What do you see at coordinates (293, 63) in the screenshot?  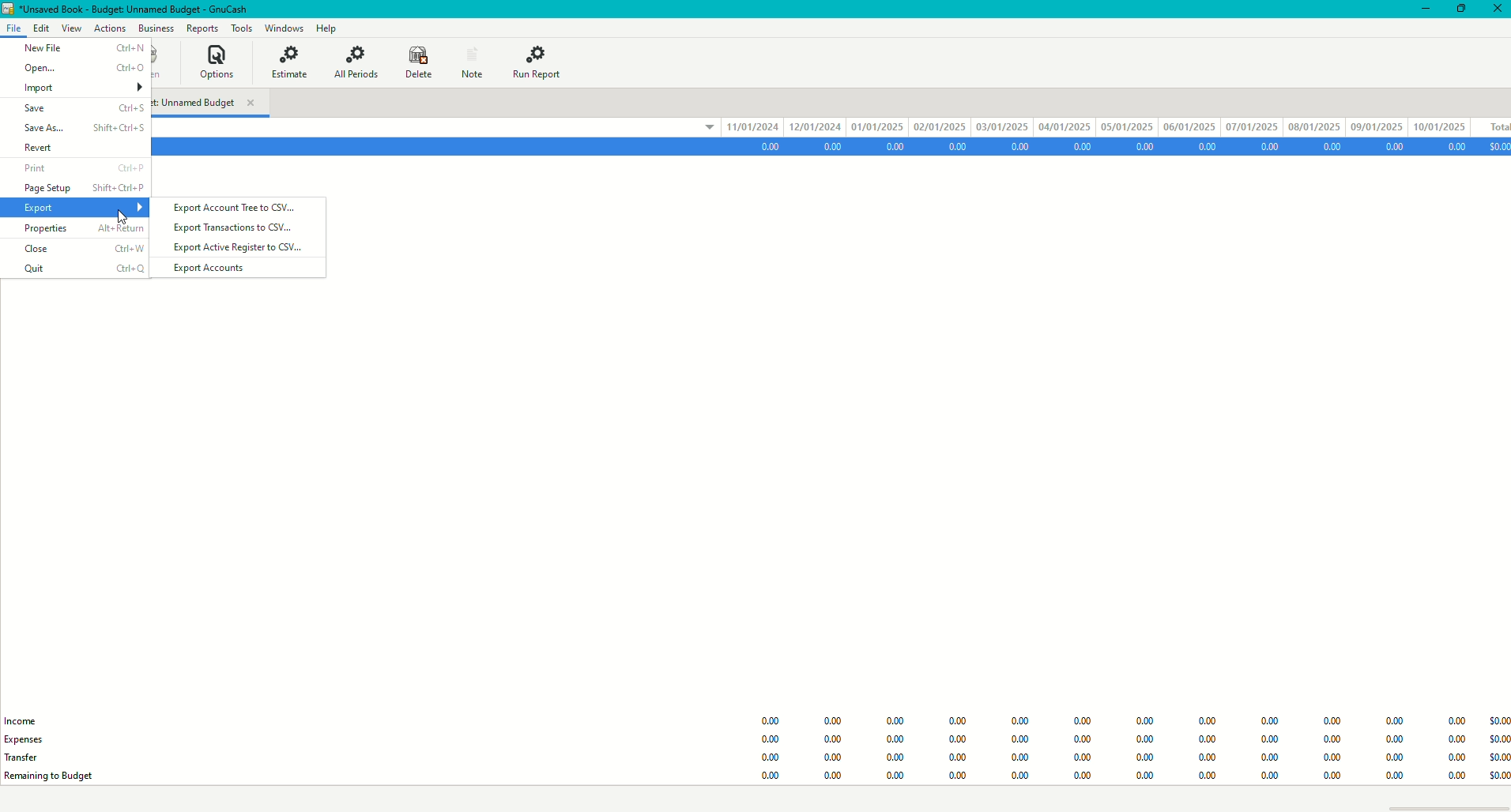 I see `Estimate` at bounding box center [293, 63].